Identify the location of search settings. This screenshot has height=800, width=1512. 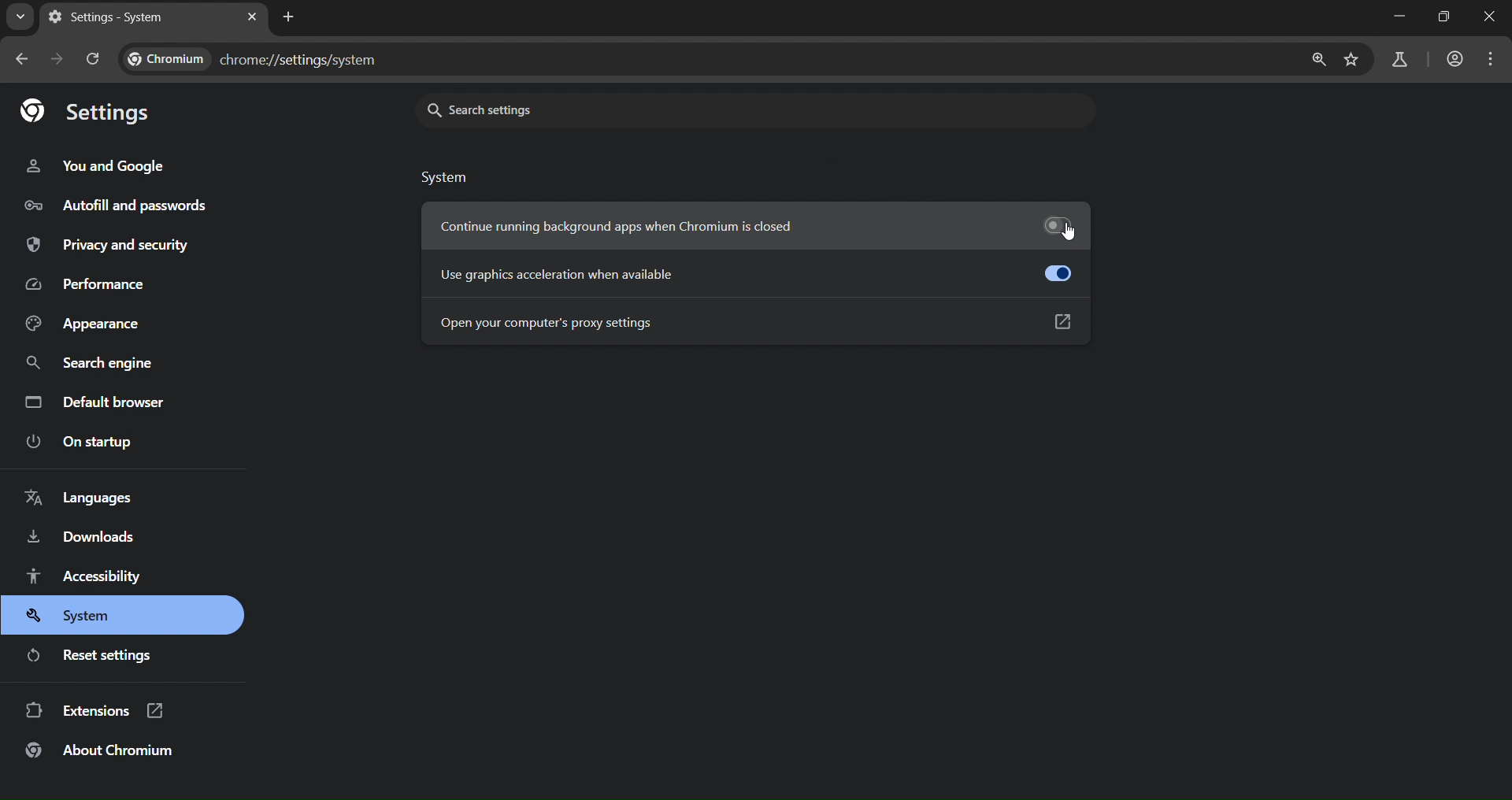
(652, 110).